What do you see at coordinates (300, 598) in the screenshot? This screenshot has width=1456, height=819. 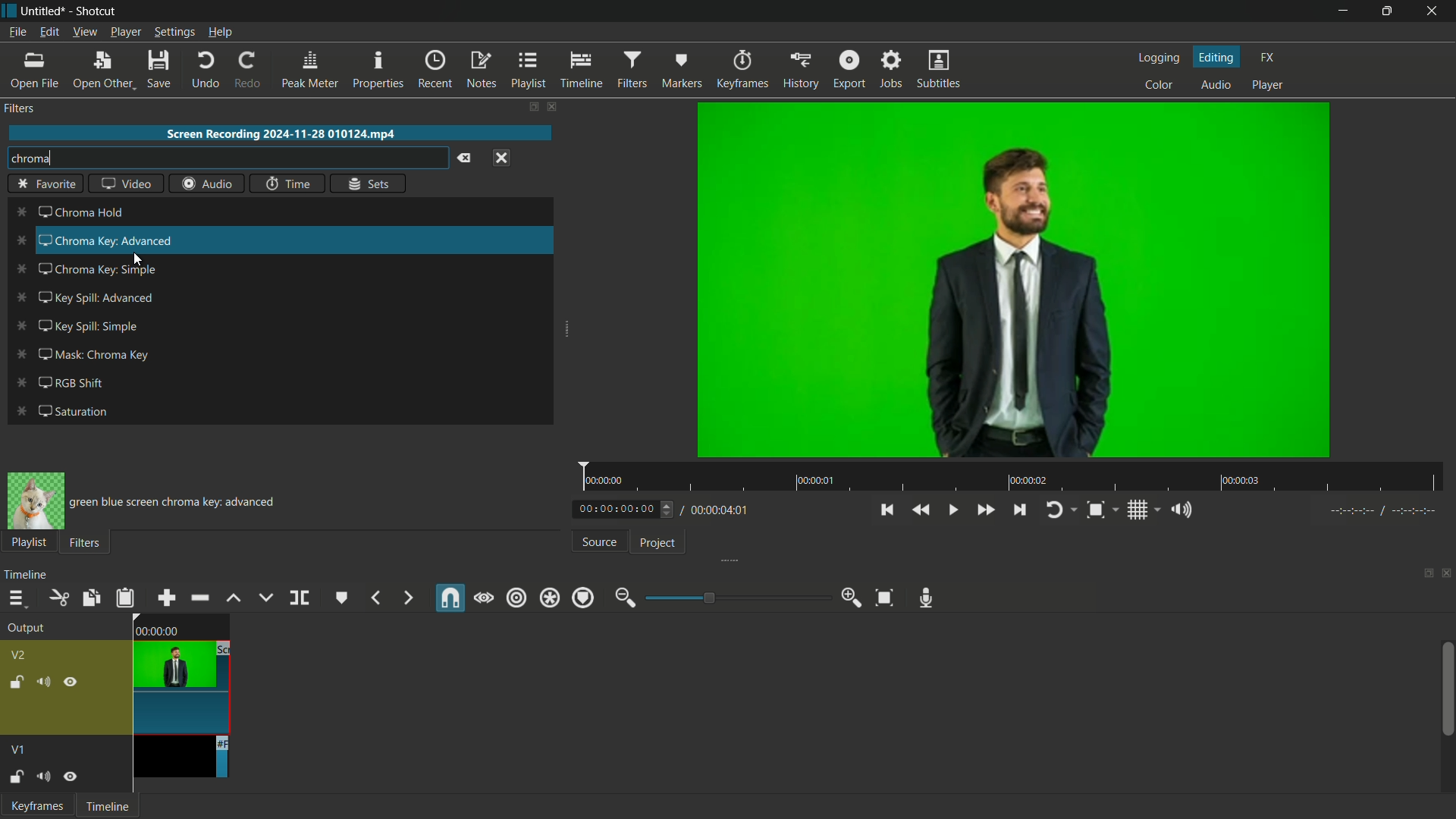 I see `split at playhead` at bounding box center [300, 598].